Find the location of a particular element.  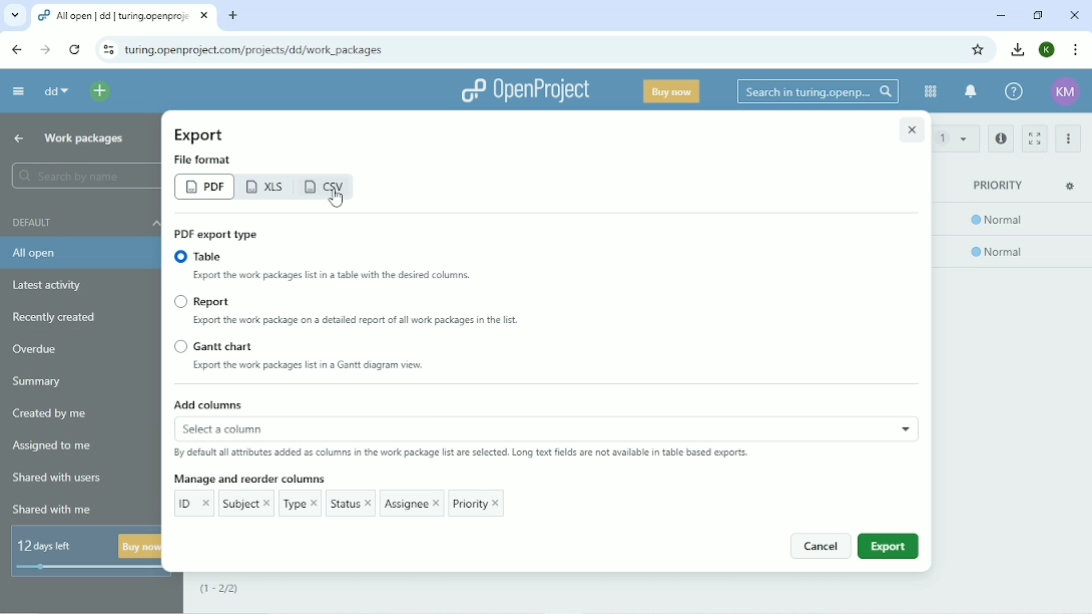

Created by me is located at coordinates (51, 414).